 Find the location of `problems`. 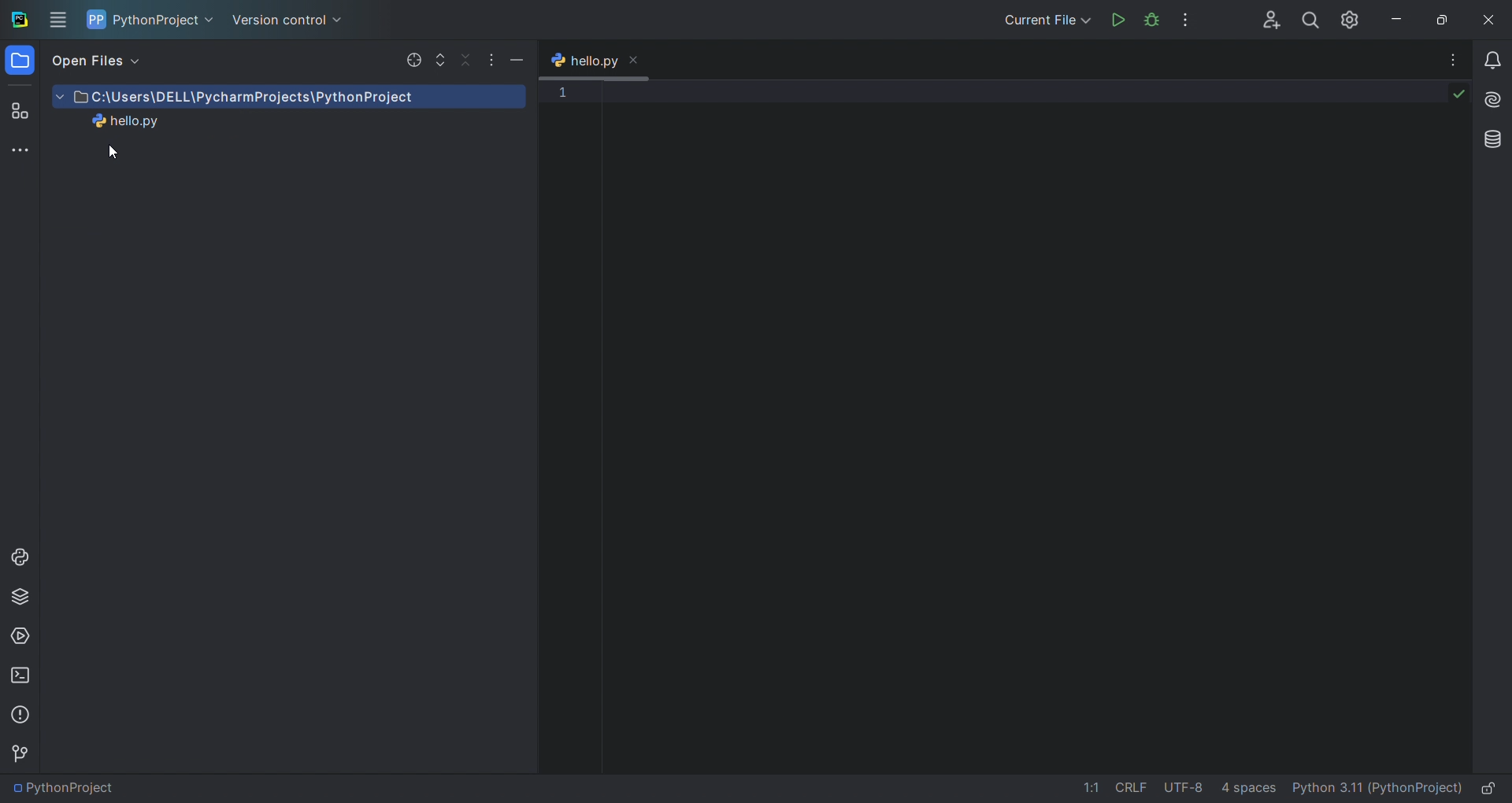

problems is located at coordinates (20, 716).